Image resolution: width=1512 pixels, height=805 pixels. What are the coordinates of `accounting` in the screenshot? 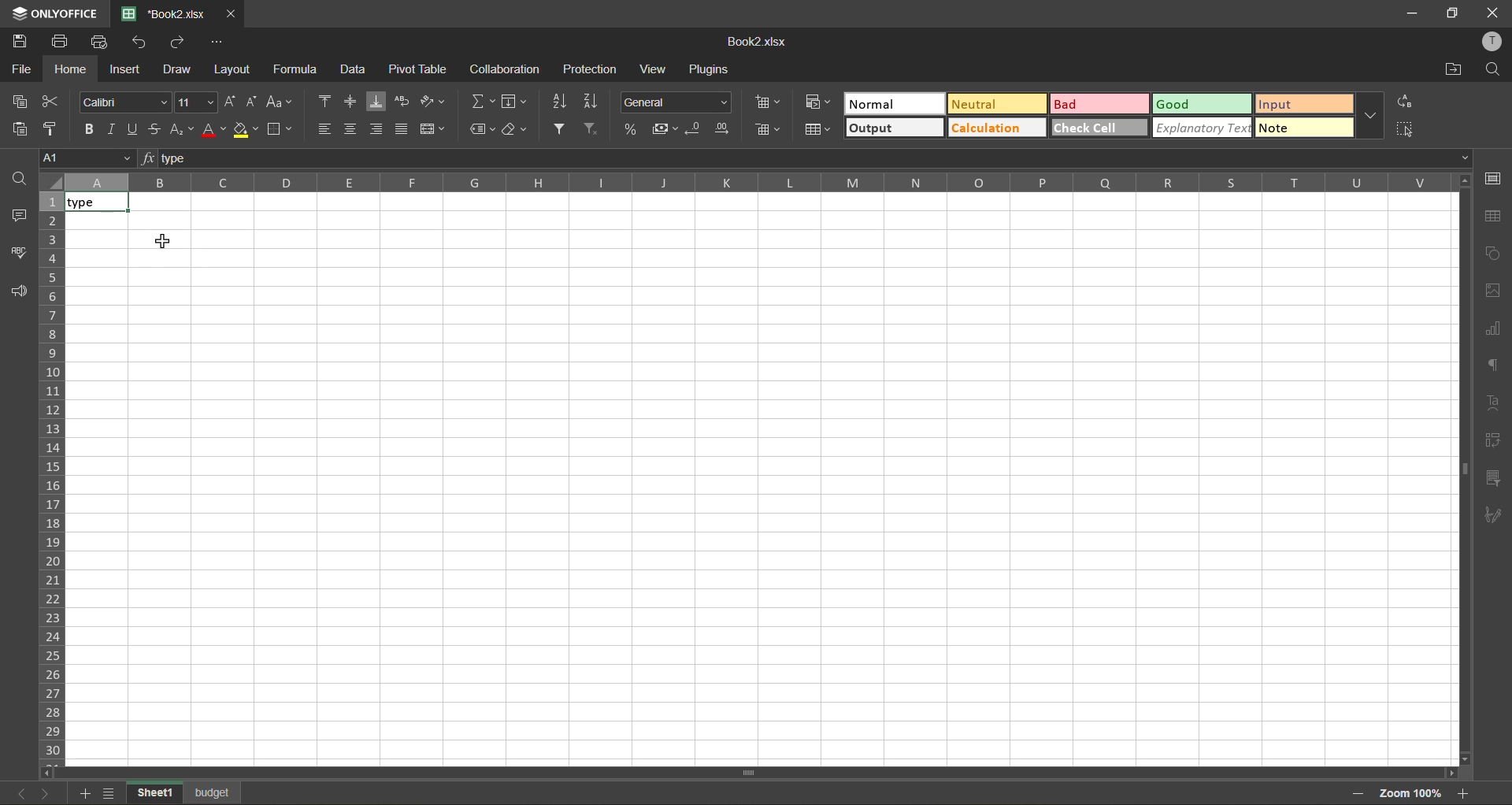 It's located at (663, 128).